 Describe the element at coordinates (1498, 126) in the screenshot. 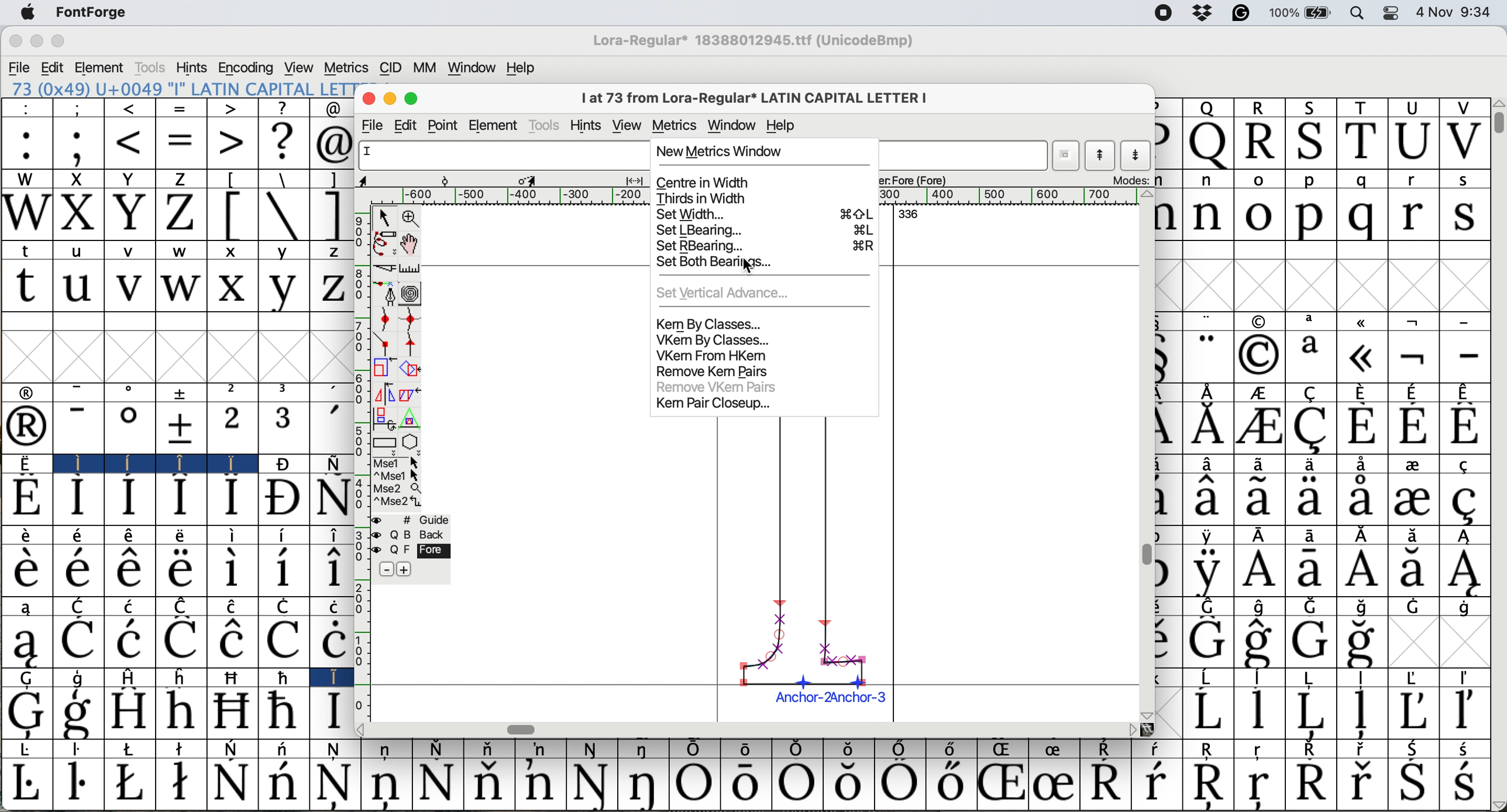

I see `vertical scroll bar` at that location.